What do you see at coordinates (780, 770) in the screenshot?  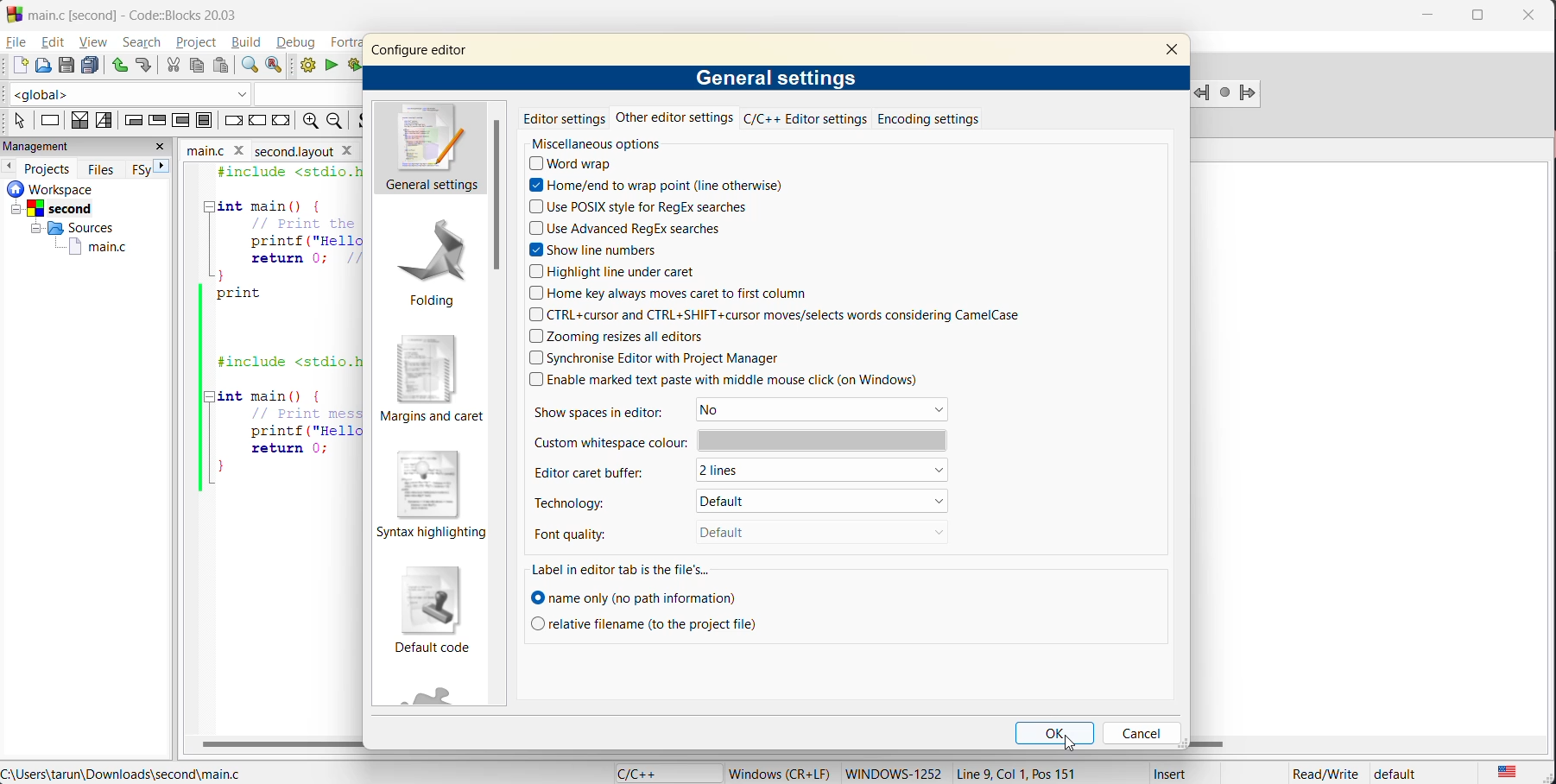 I see `metadata` at bounding box center [780, 770].